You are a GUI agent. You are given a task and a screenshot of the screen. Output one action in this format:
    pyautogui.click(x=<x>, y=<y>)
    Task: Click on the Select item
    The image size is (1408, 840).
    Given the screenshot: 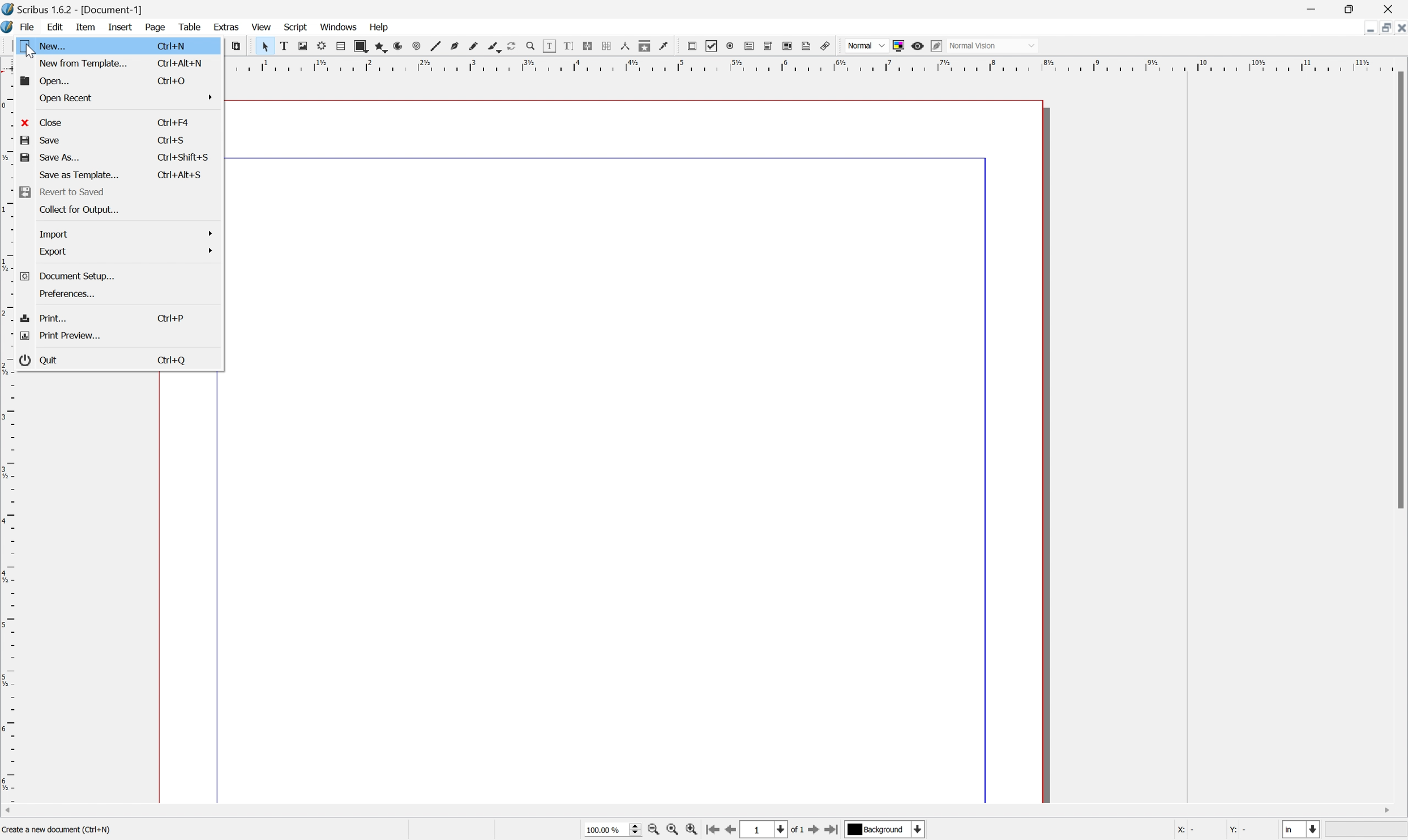 What is the action you would take?
    pyautogui.click(x=265, y=46)
    